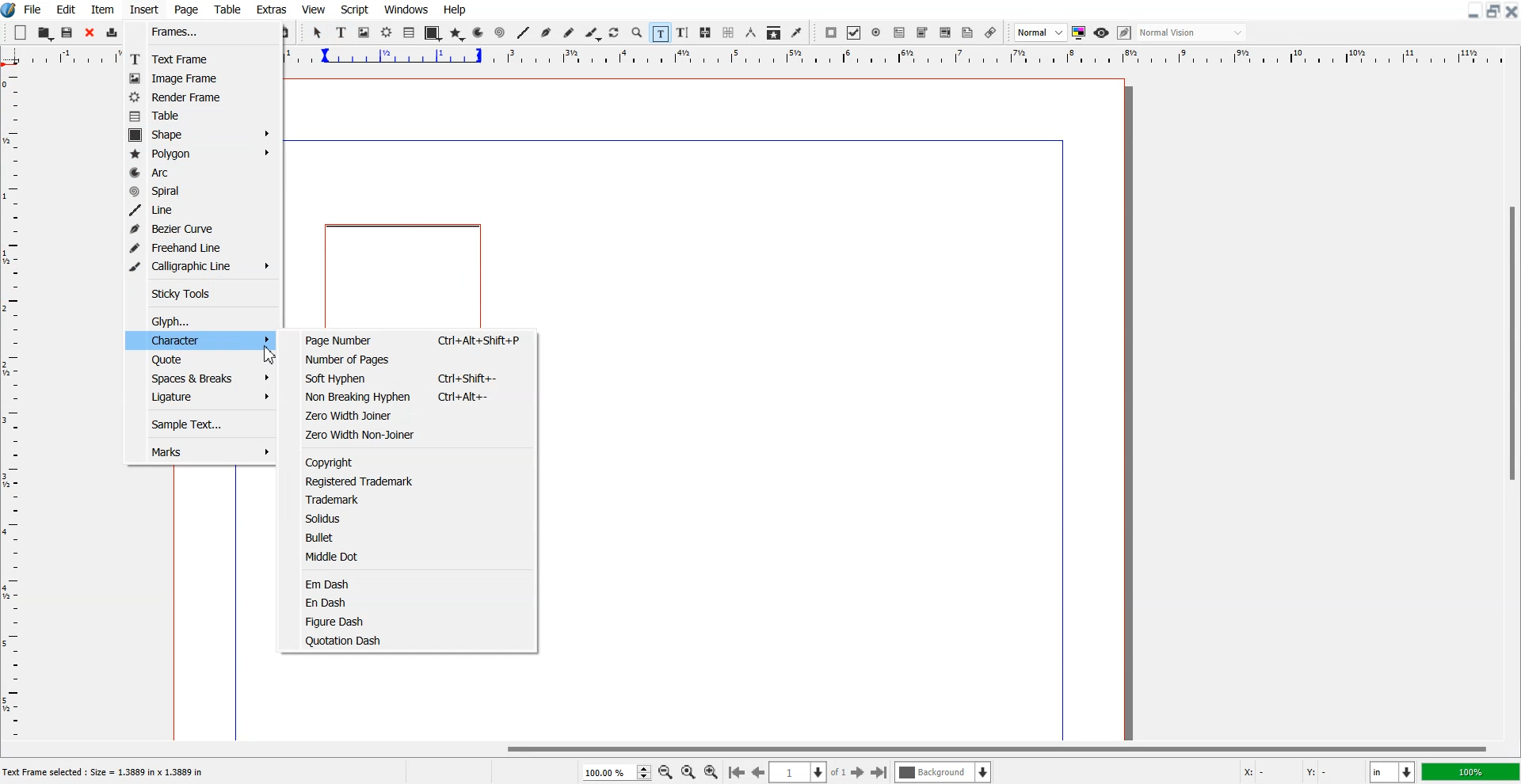 The height and width of the screenshot is (784, 1521). What do you see at coordinates (202, 173) in the screenshot?
I see `Arc` at bounding box center [202, 173].